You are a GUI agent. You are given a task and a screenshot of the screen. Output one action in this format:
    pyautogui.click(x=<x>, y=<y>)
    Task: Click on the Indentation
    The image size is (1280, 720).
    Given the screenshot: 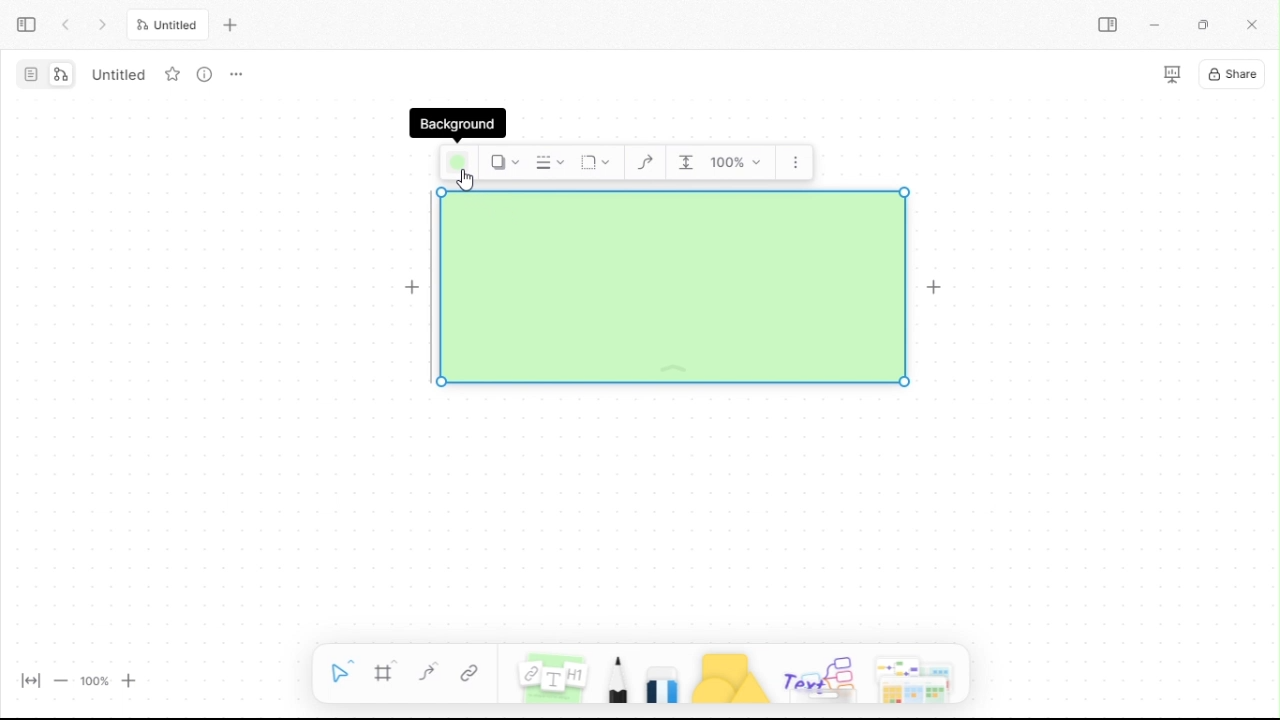 What is the action you would take?
    pyautogui.click(x=686, y=163)
    